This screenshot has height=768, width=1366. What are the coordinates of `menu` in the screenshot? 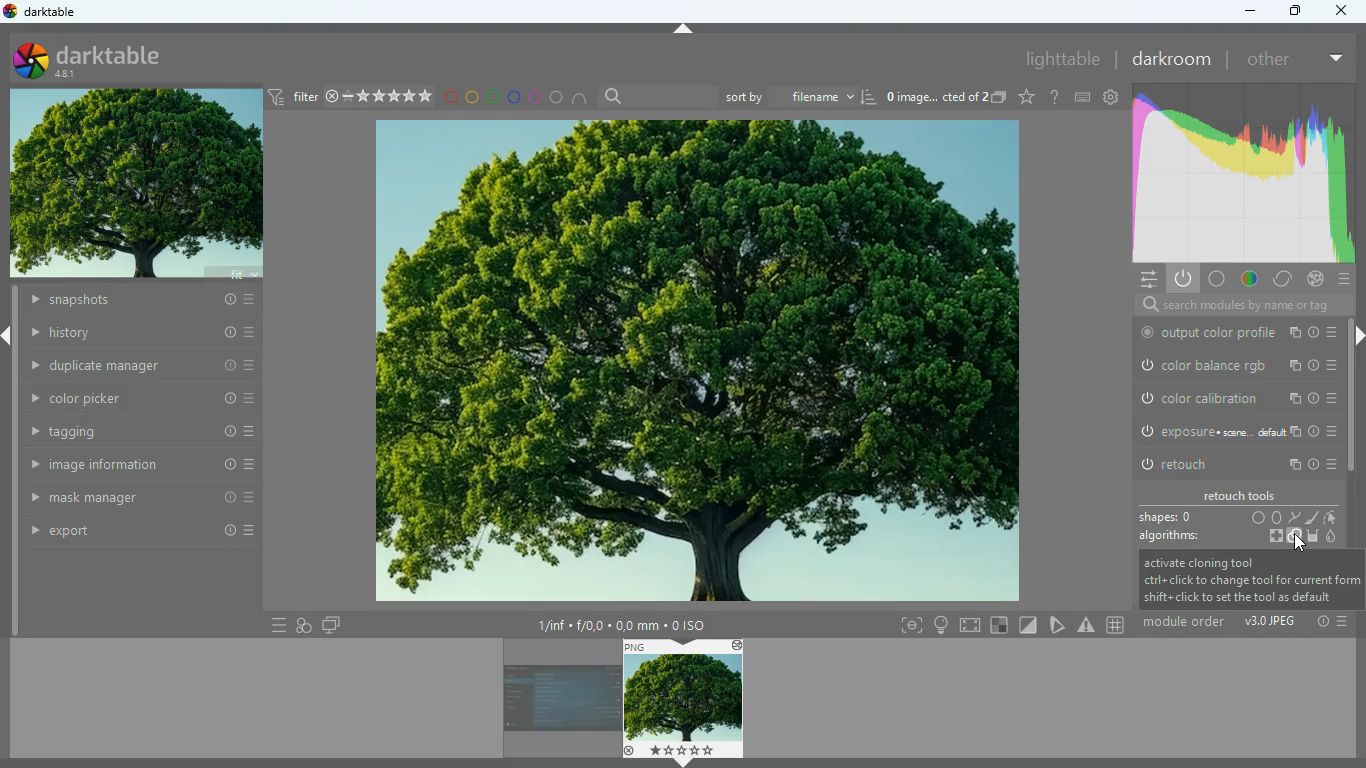 It's located at (277, 625).